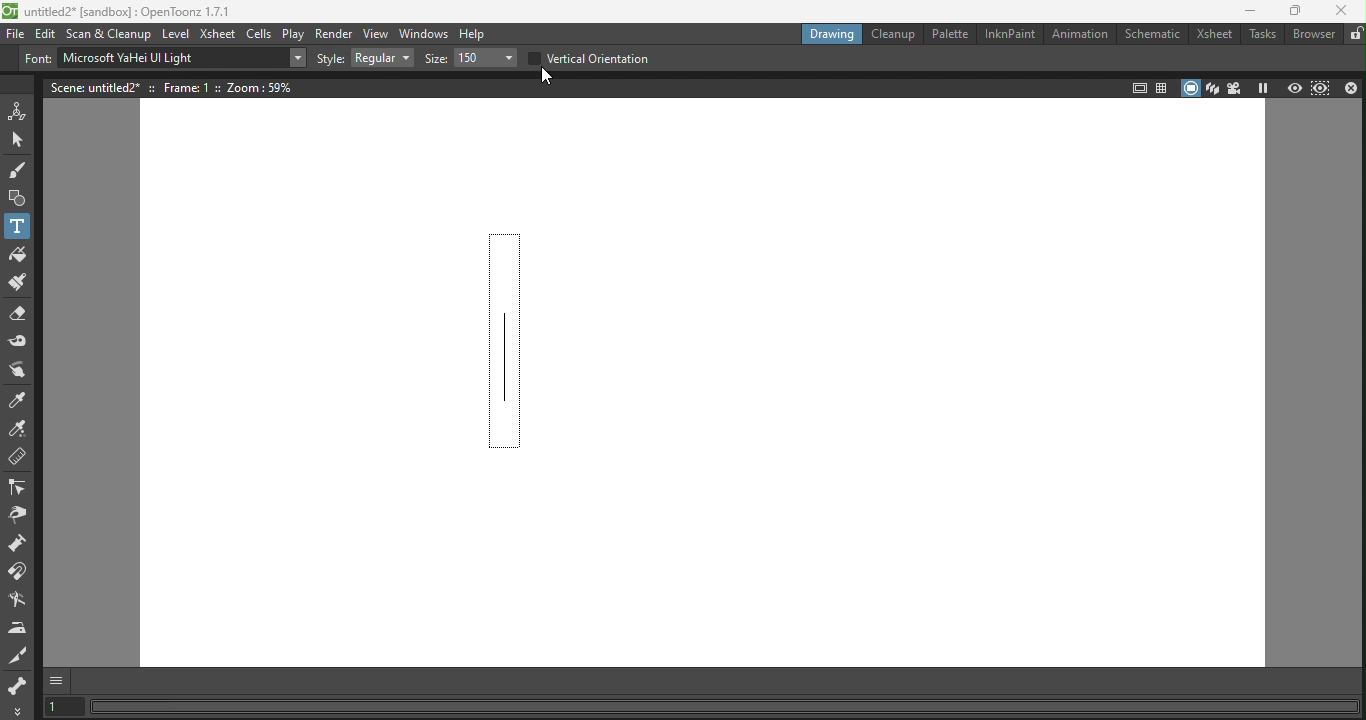 The width and height of the screenshot is (1366, 720). I want to click on Control point editor tool, so click(17, 485).